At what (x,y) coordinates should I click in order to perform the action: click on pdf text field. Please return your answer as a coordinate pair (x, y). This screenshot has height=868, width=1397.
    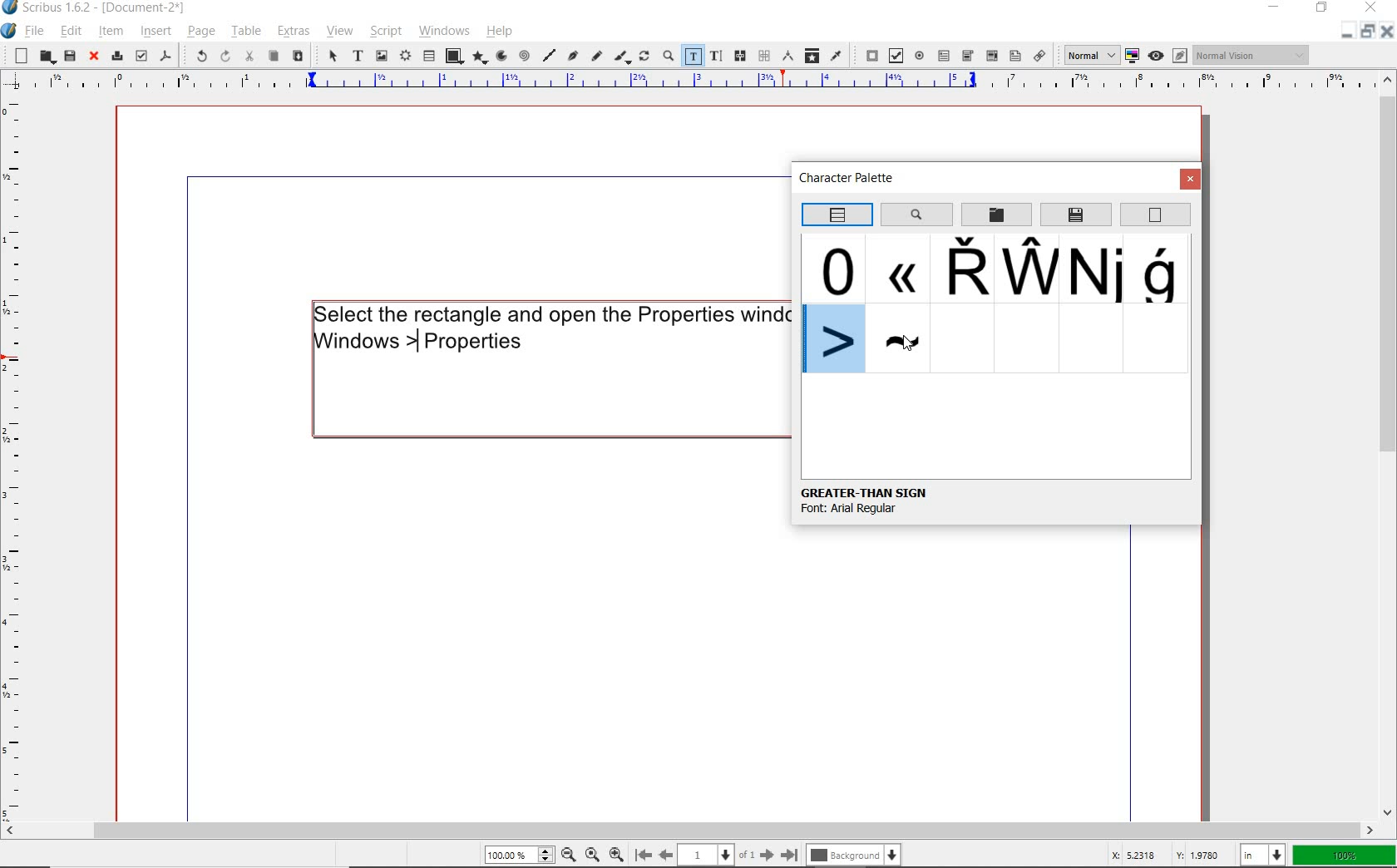
    Looking at the image, I should click on (944, 55).